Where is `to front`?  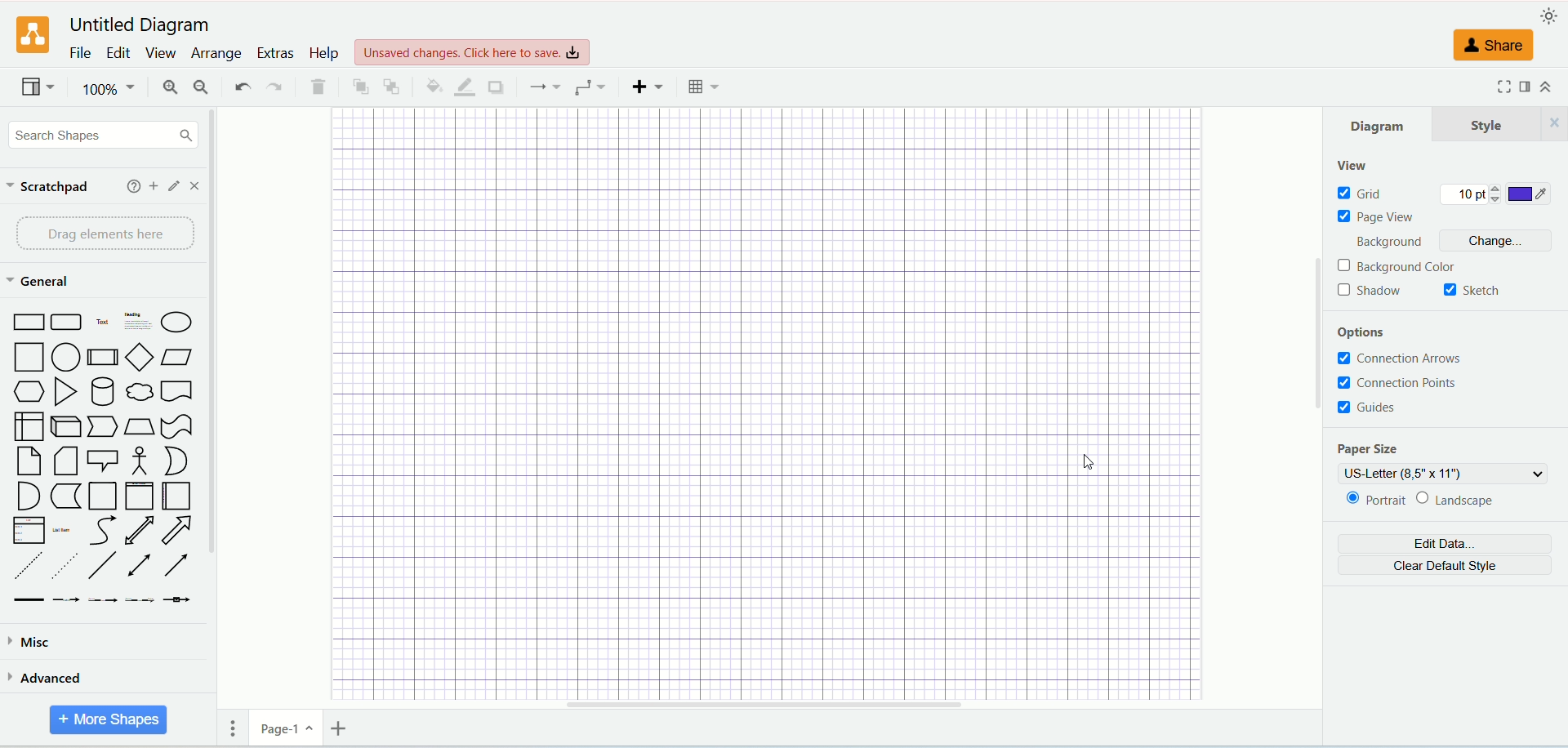 to front is located at coordinates (359, 86).